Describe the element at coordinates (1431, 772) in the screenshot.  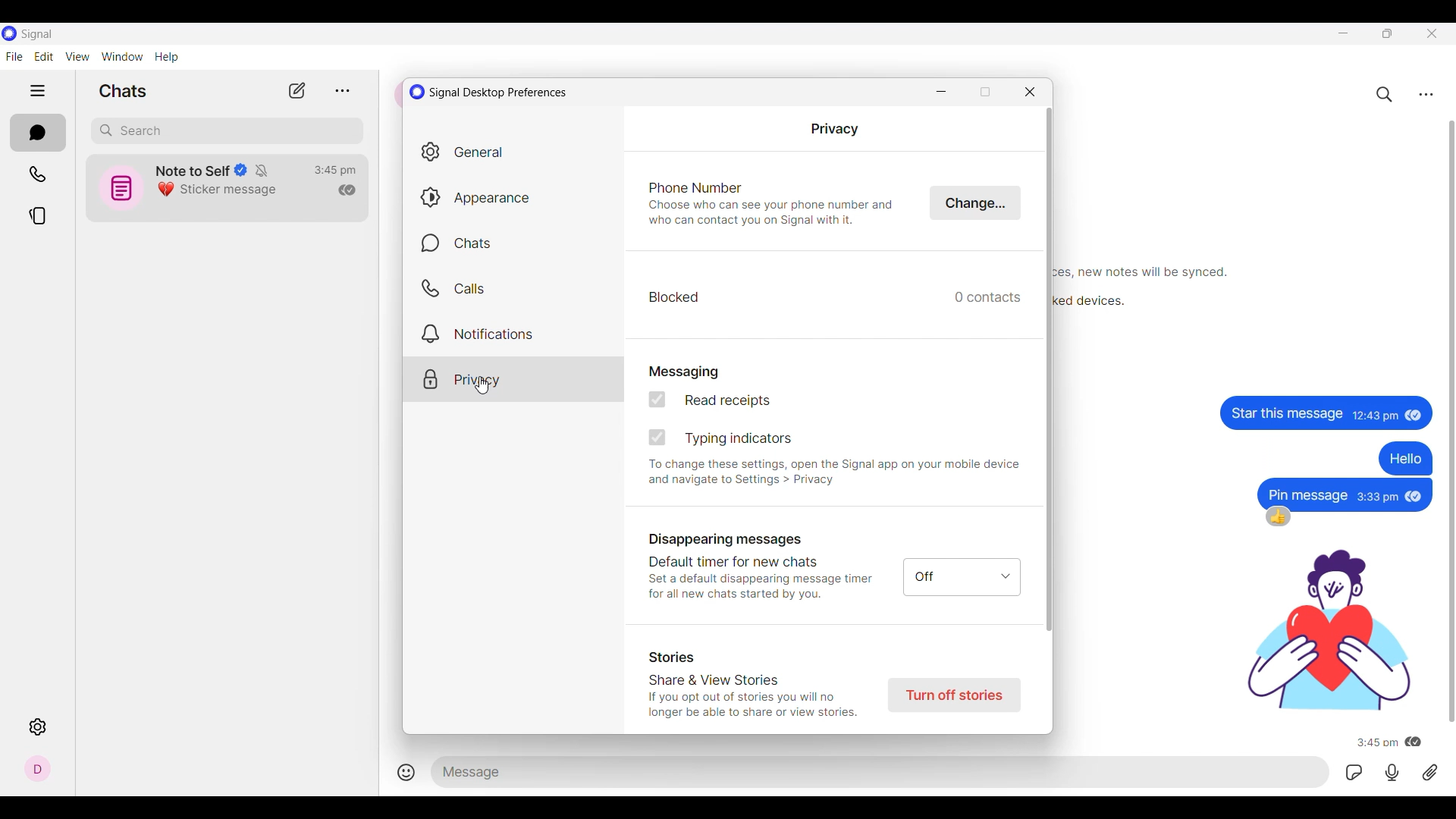
I see `Attachment ` at that location.